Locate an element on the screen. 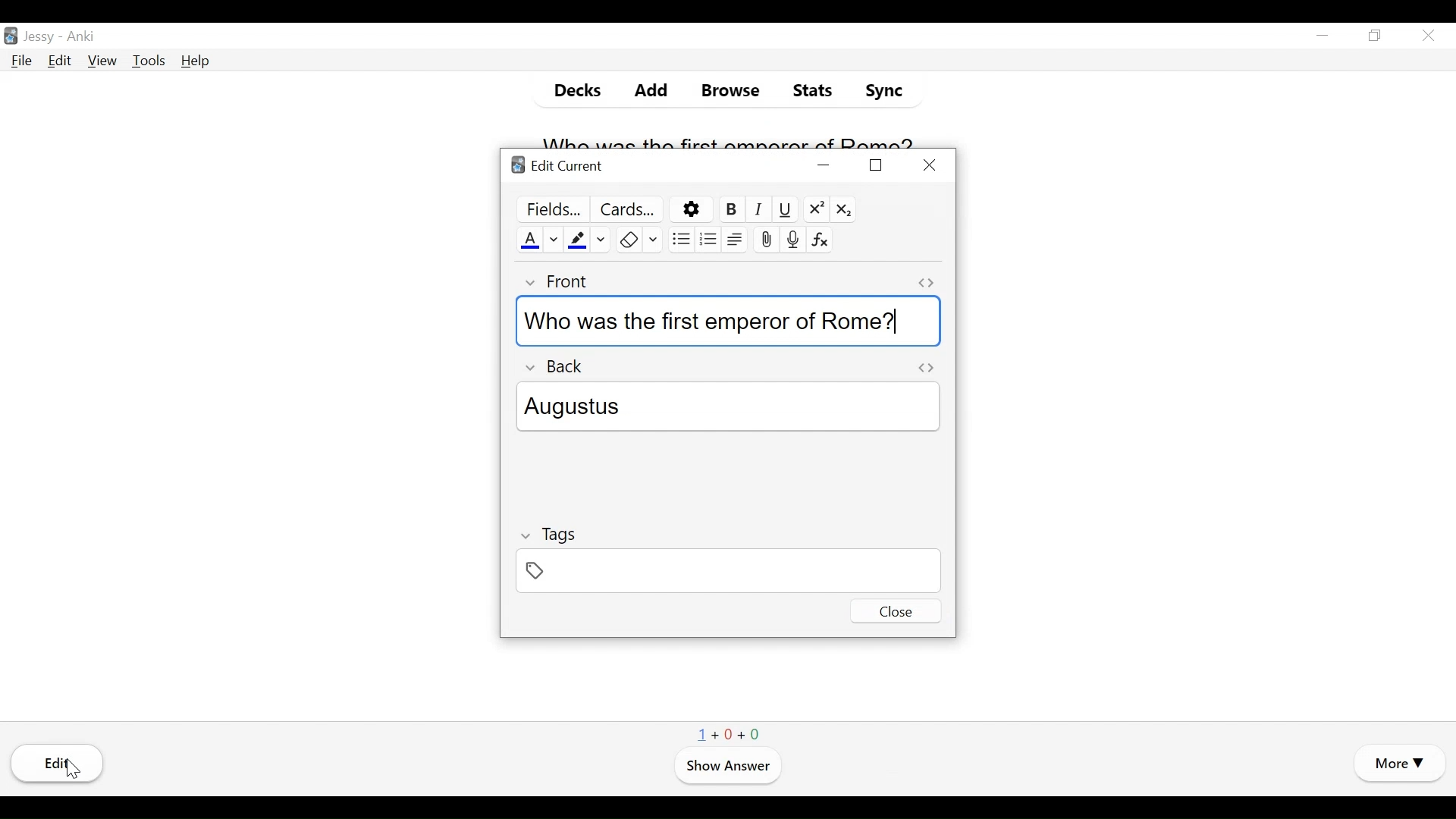 The width and height of the screenshot is (1456, 819). ordered list is located at coordinates (708, 238).